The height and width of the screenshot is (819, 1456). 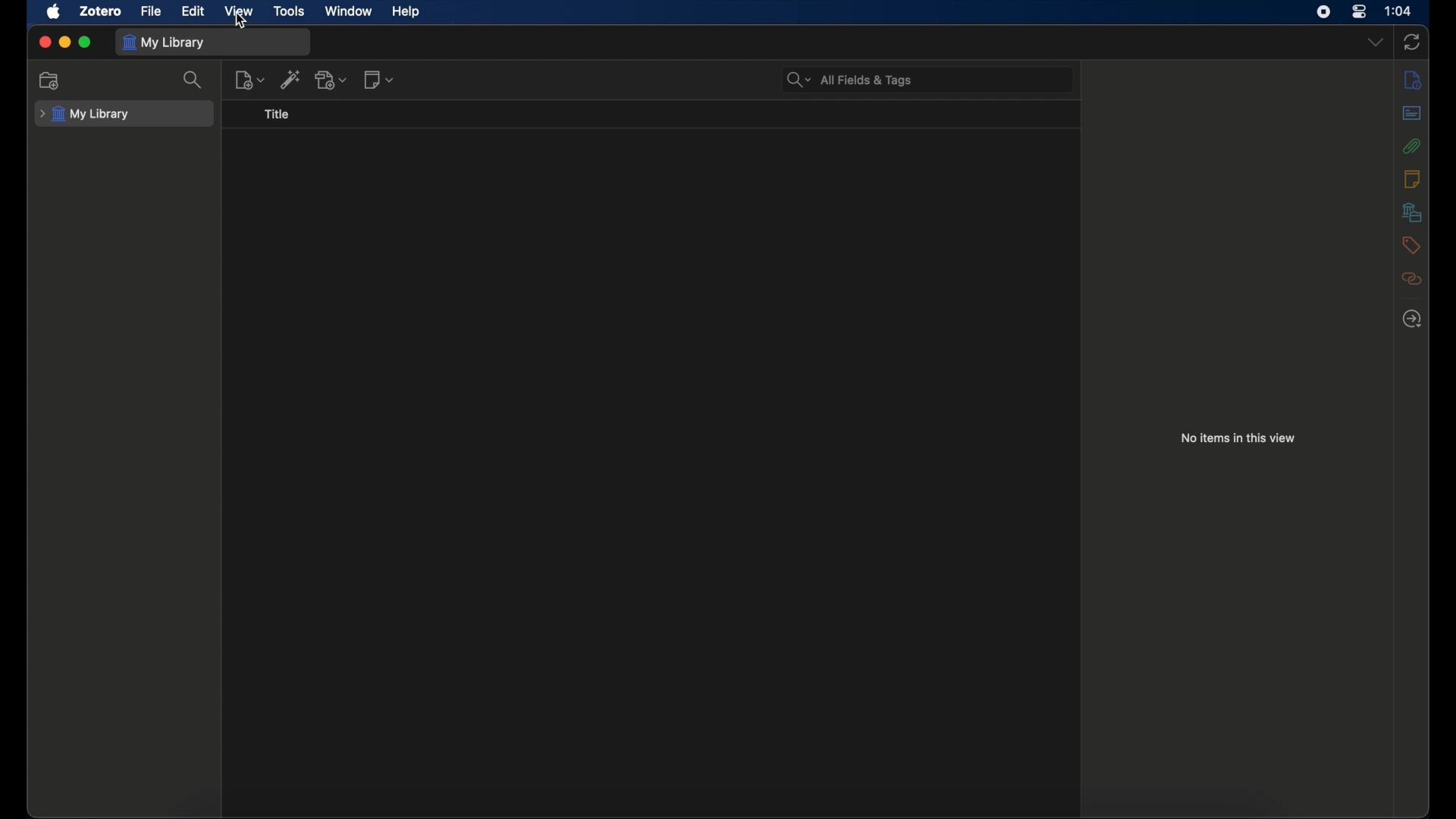 I want to click on title, so click(x=276, y=115).